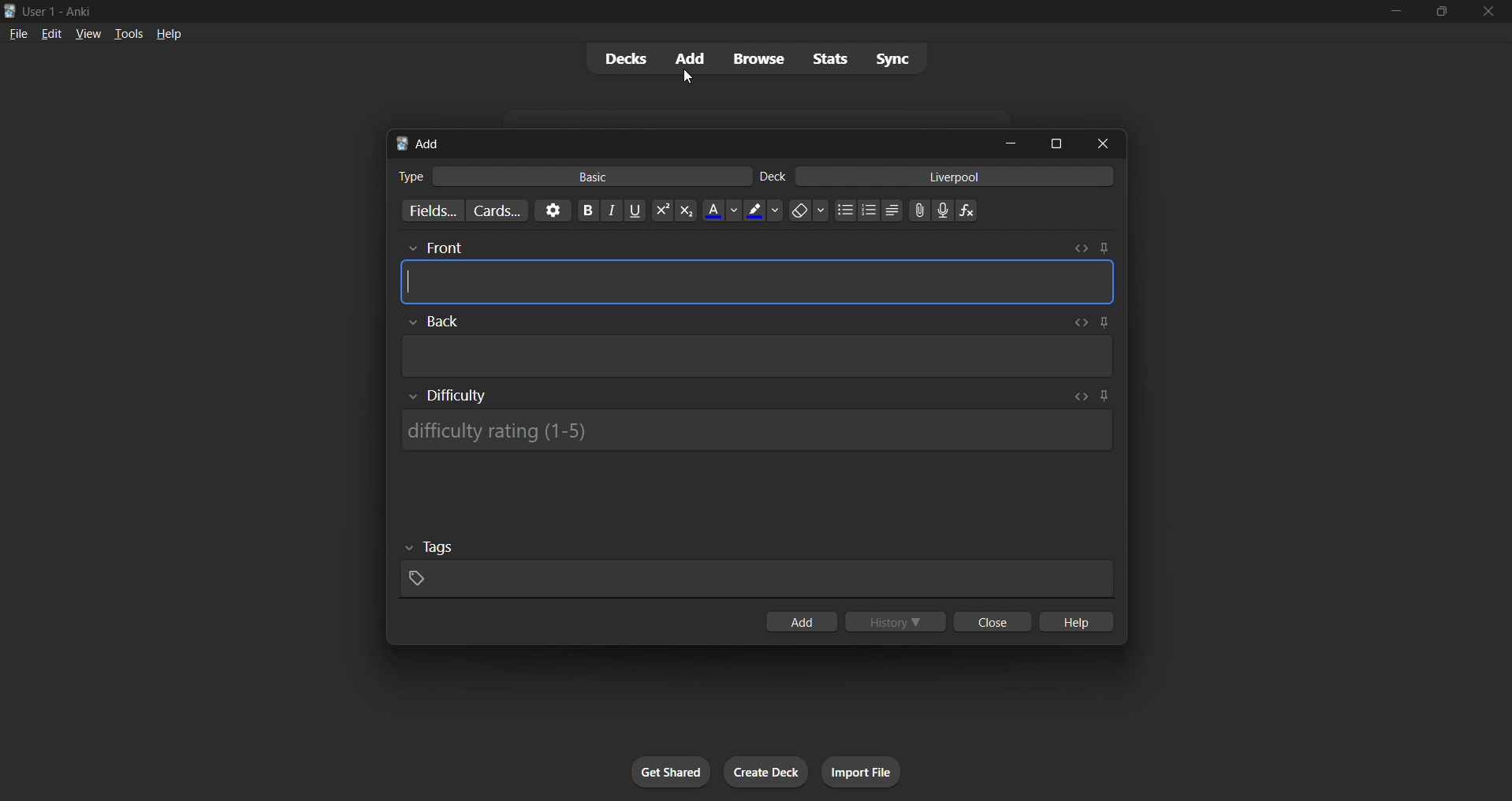 The width and height of the screenshot is (1512, 801). What do you see at coordinates (681, 9) in the screenshot?
I see `title bar` at bounding box center [681, 9].